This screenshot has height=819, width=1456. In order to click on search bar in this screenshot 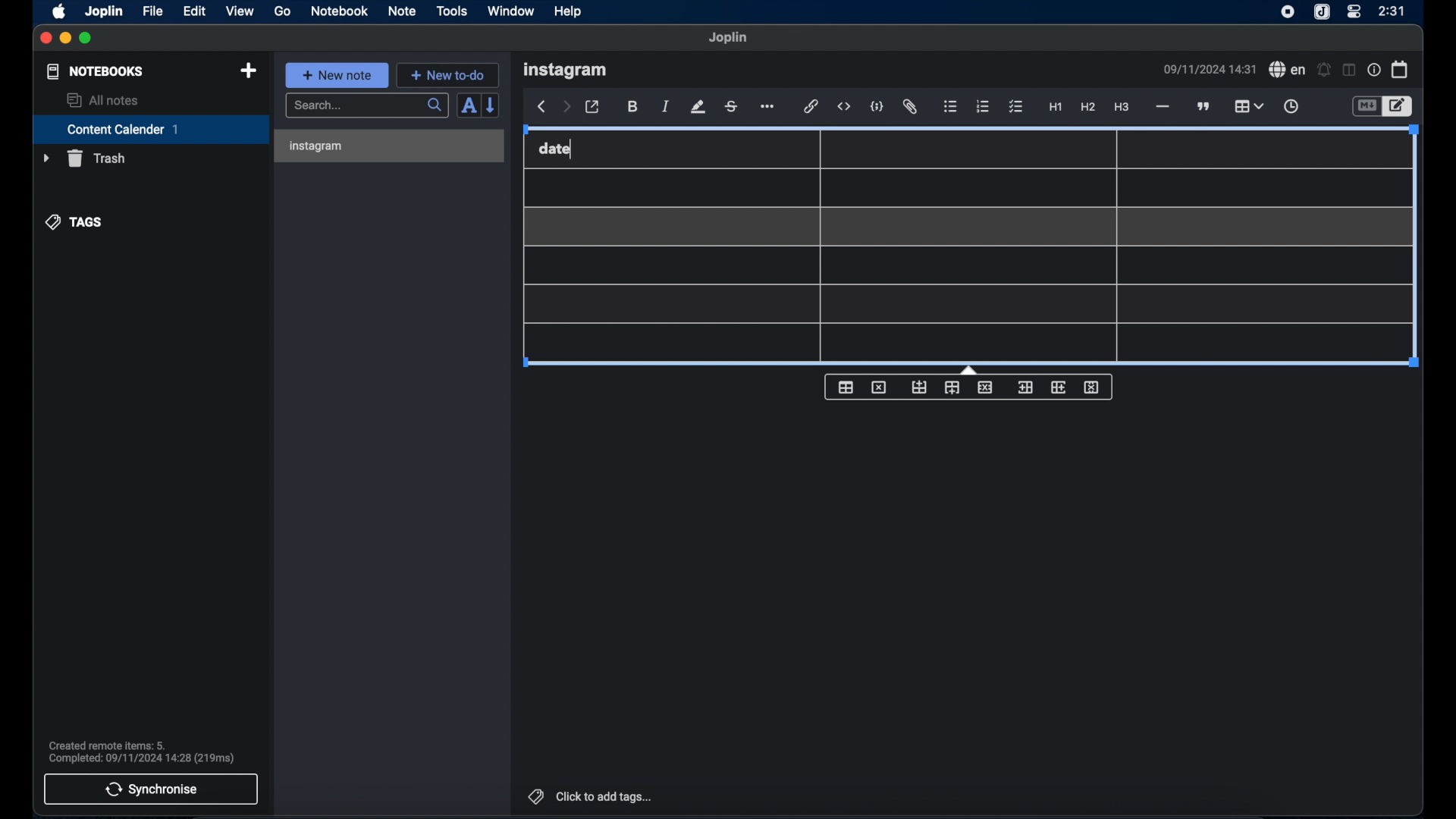, I will do `click(368, 106)`.